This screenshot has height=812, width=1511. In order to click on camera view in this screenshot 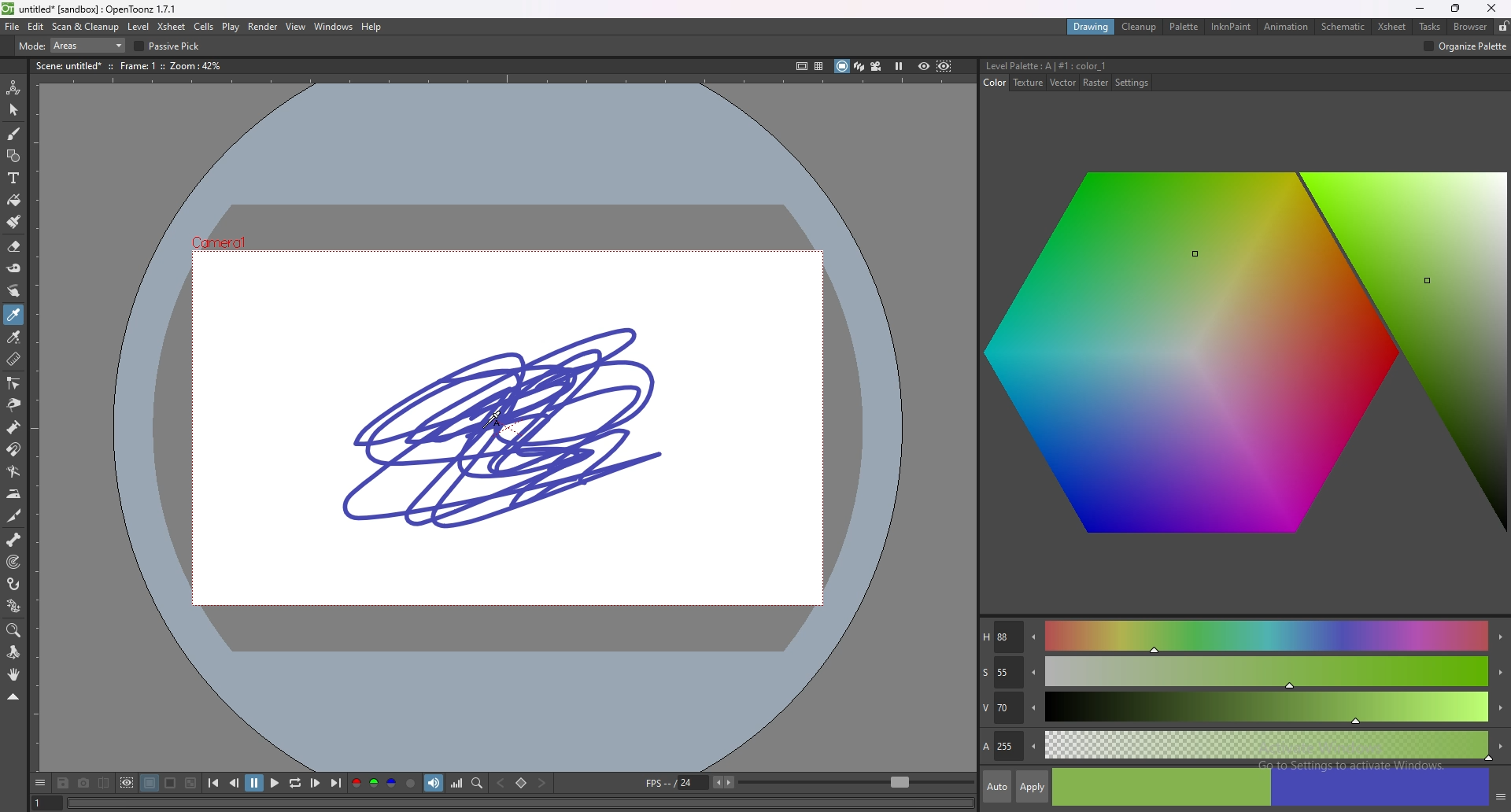, I will do `click(875, 66)`.